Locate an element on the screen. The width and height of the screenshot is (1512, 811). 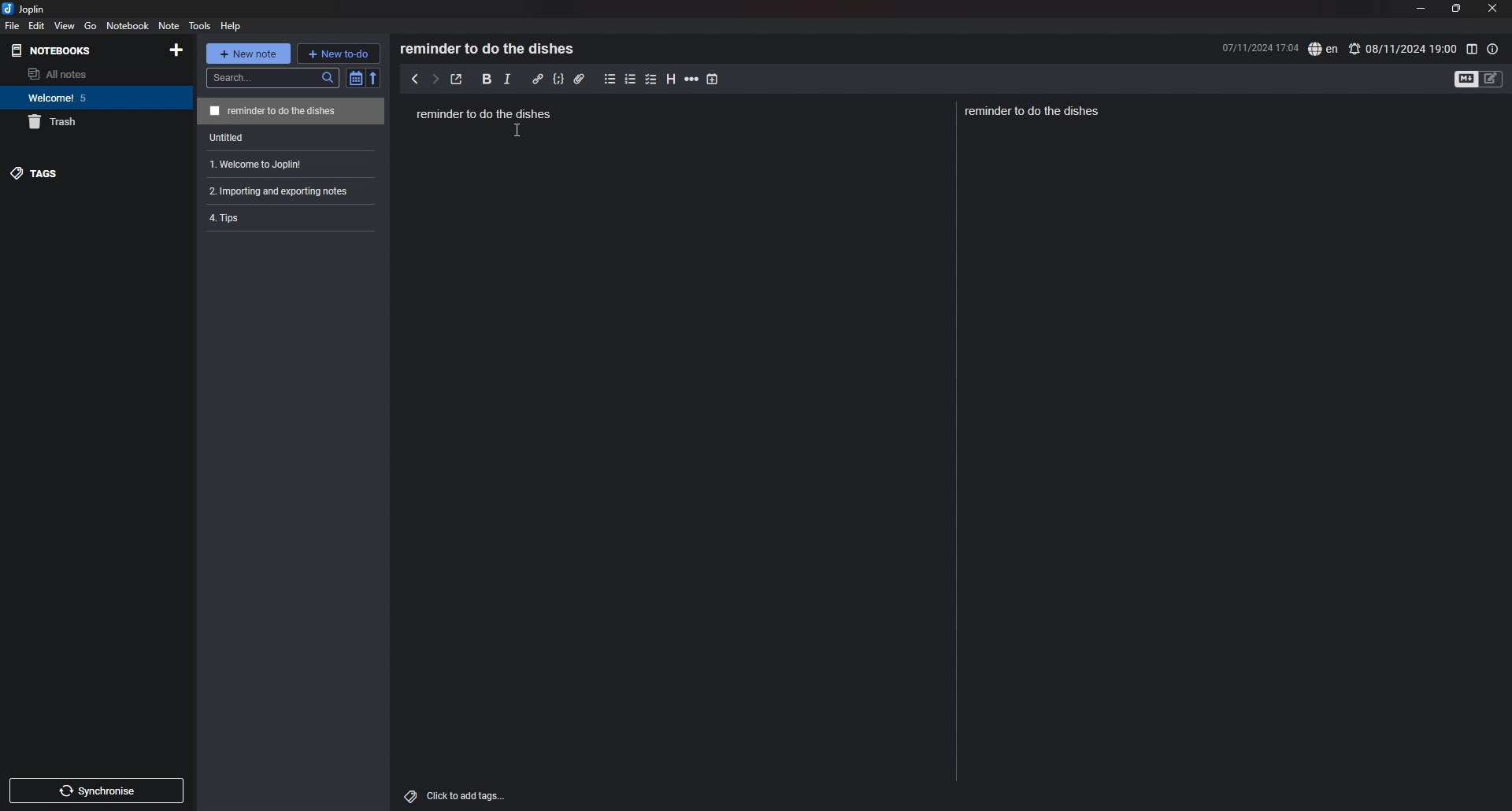
reminder is located at coordinates (485, 115).